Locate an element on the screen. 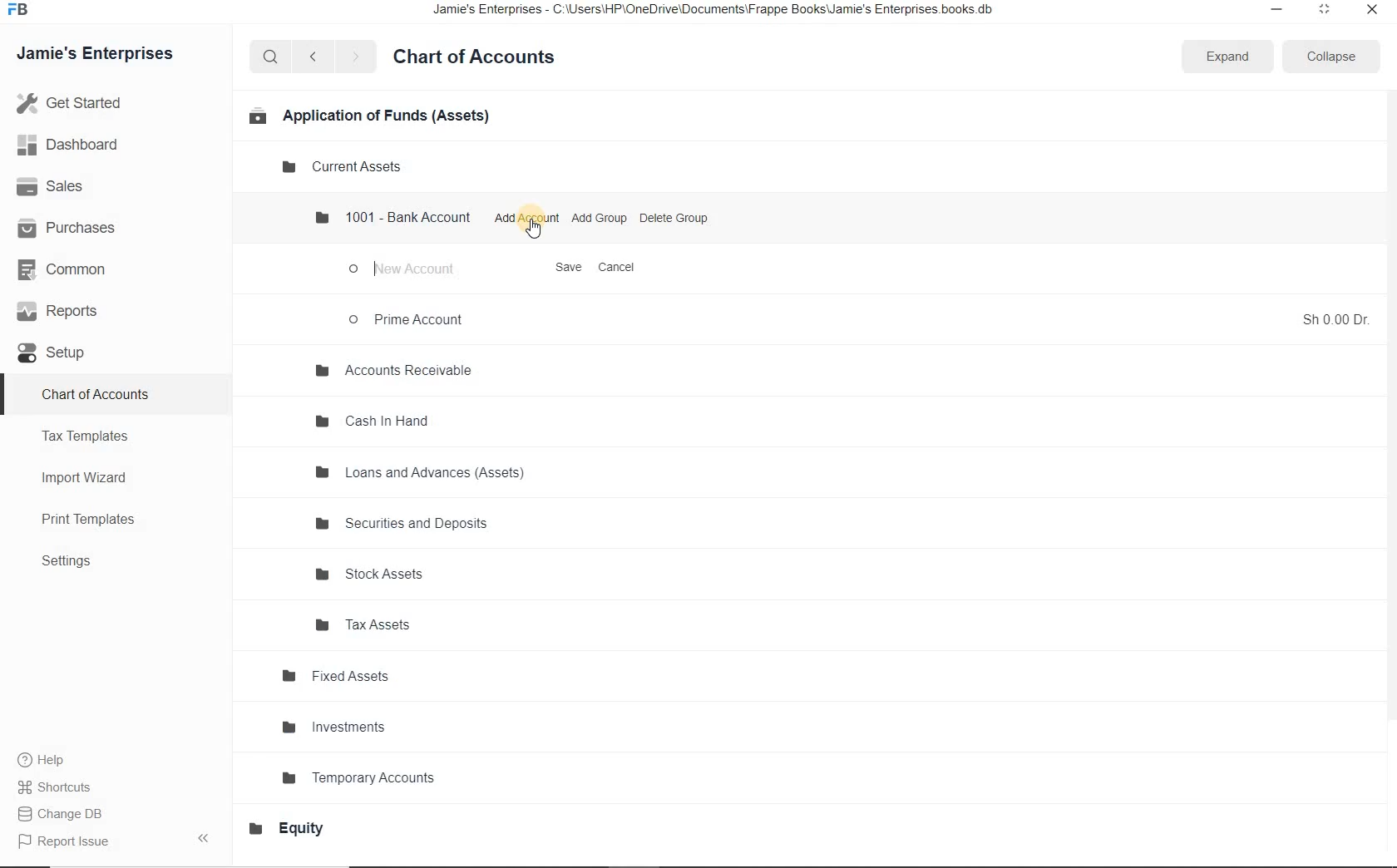 Image resolution: width=1397 pixels, height=868 pixels. Equity is located at coordinates (295, 828).